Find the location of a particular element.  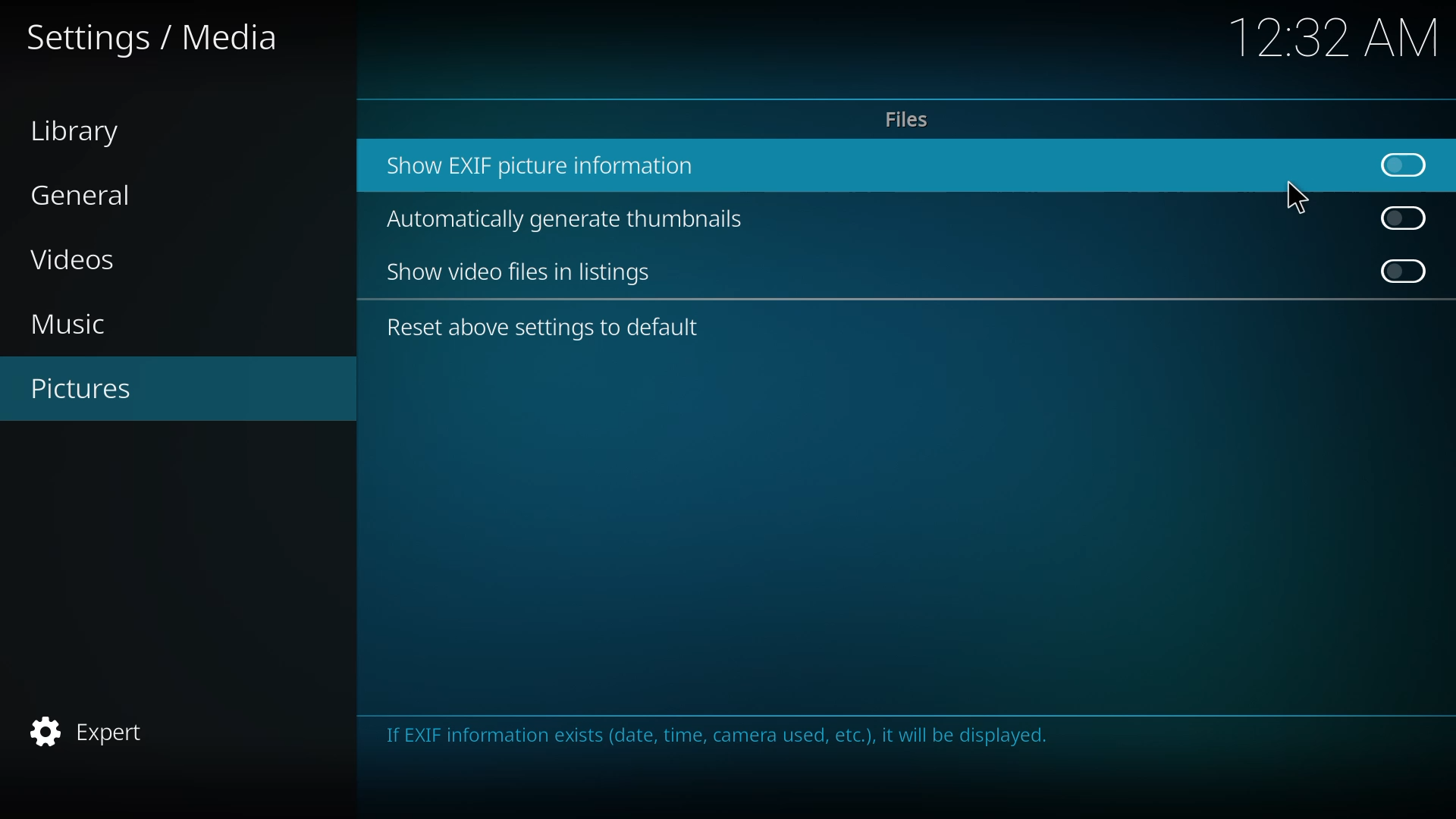

diabled is located at coordinates (1395, 164).